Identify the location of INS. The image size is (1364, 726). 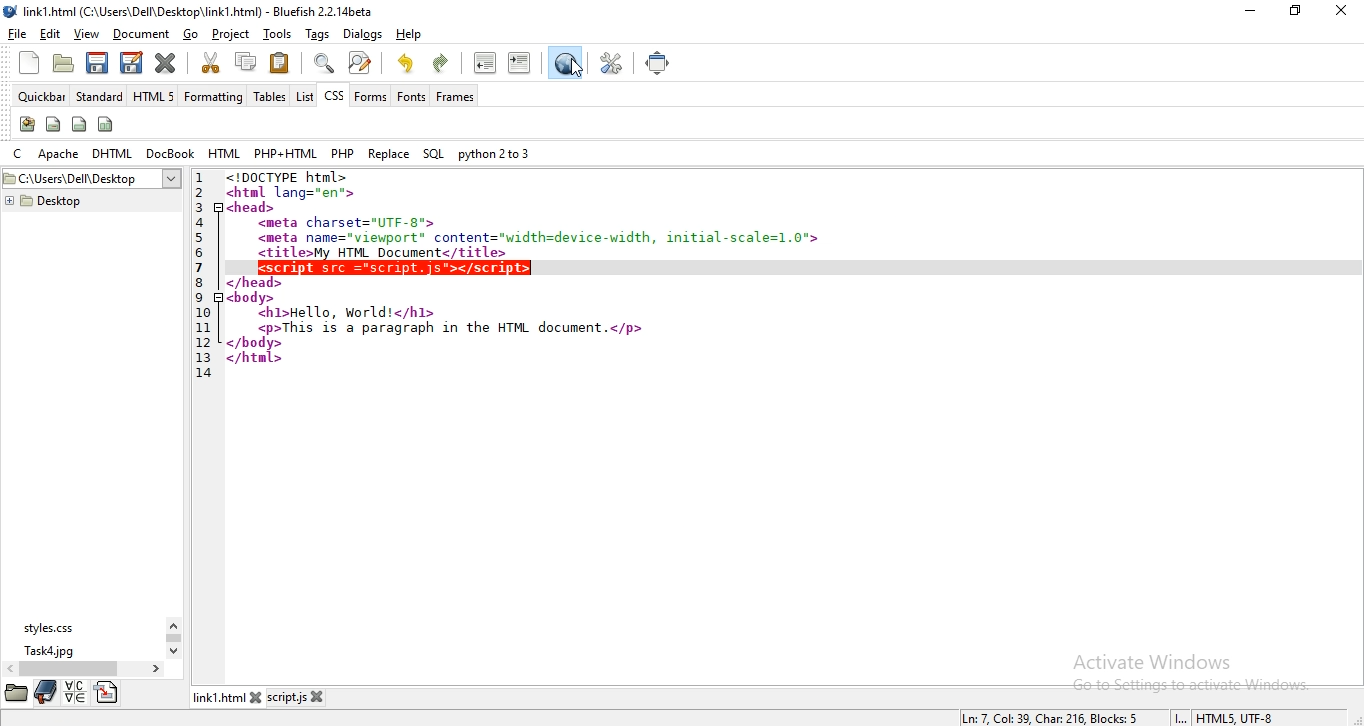
(1179, 718).